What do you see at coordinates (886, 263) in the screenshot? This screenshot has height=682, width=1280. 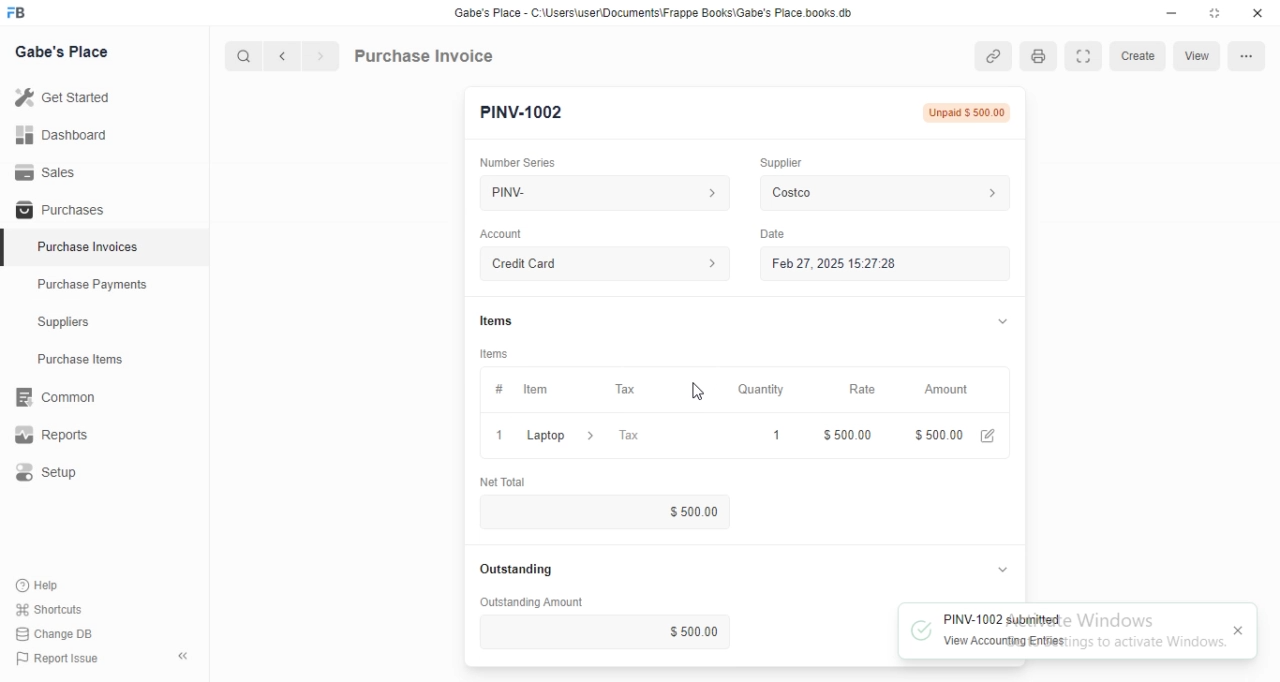 I see `Feb 27, 2025 15:27:28` at bounding box center [886, 263].